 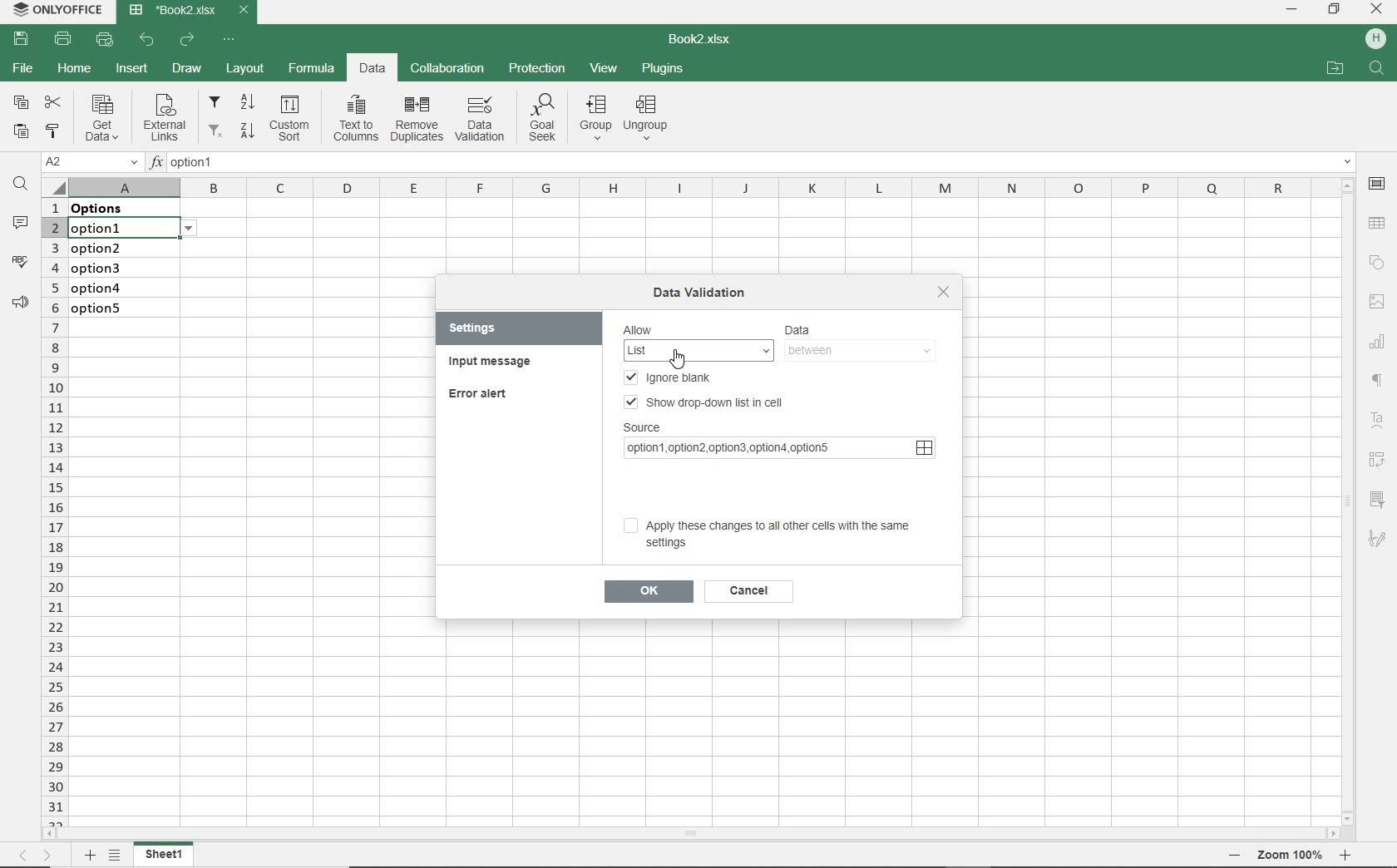 I want to click on cancel, so click(x=751, y=593).